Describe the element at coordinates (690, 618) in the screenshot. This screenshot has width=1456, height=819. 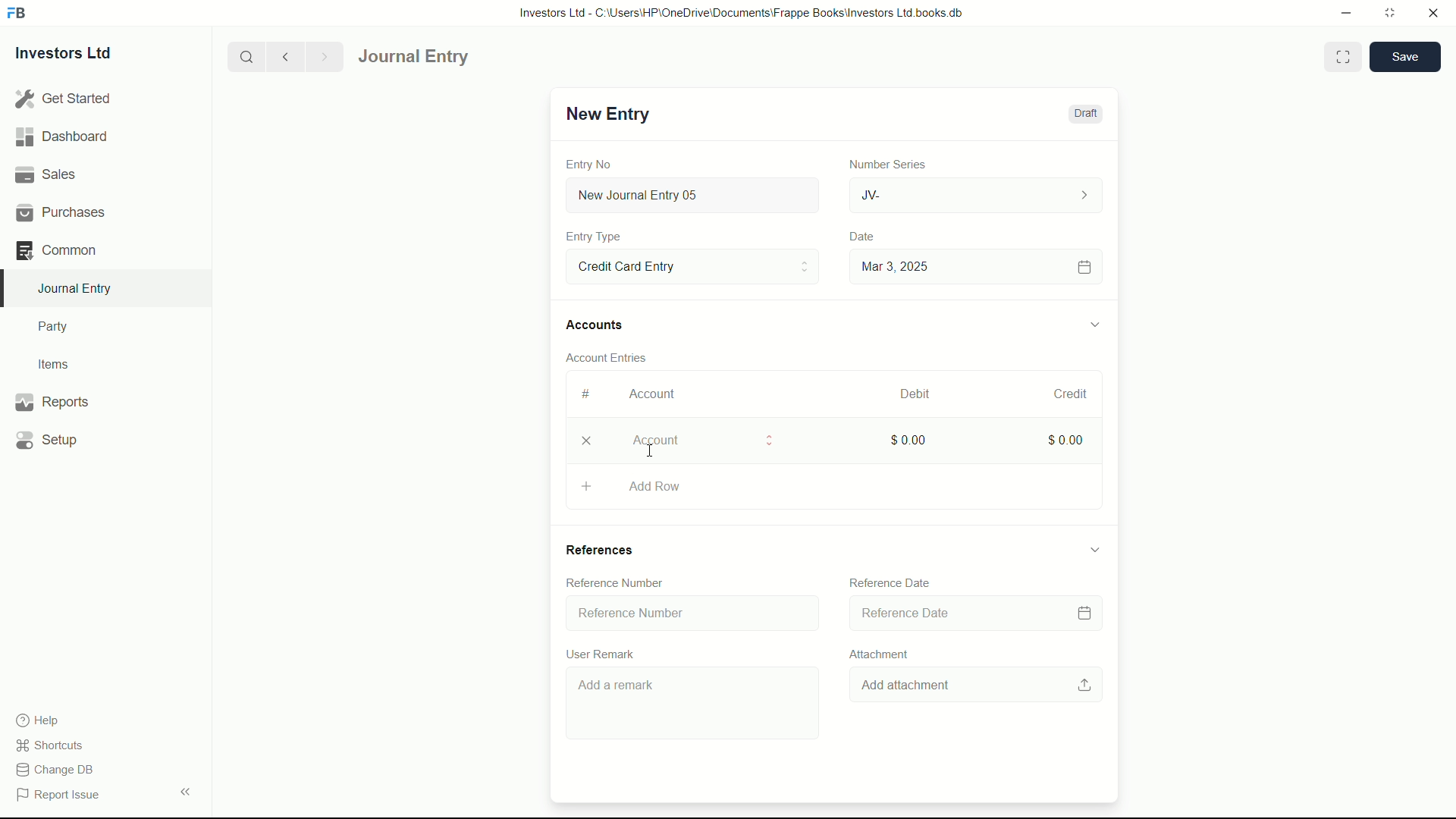
I see `Reference Number` at that location.